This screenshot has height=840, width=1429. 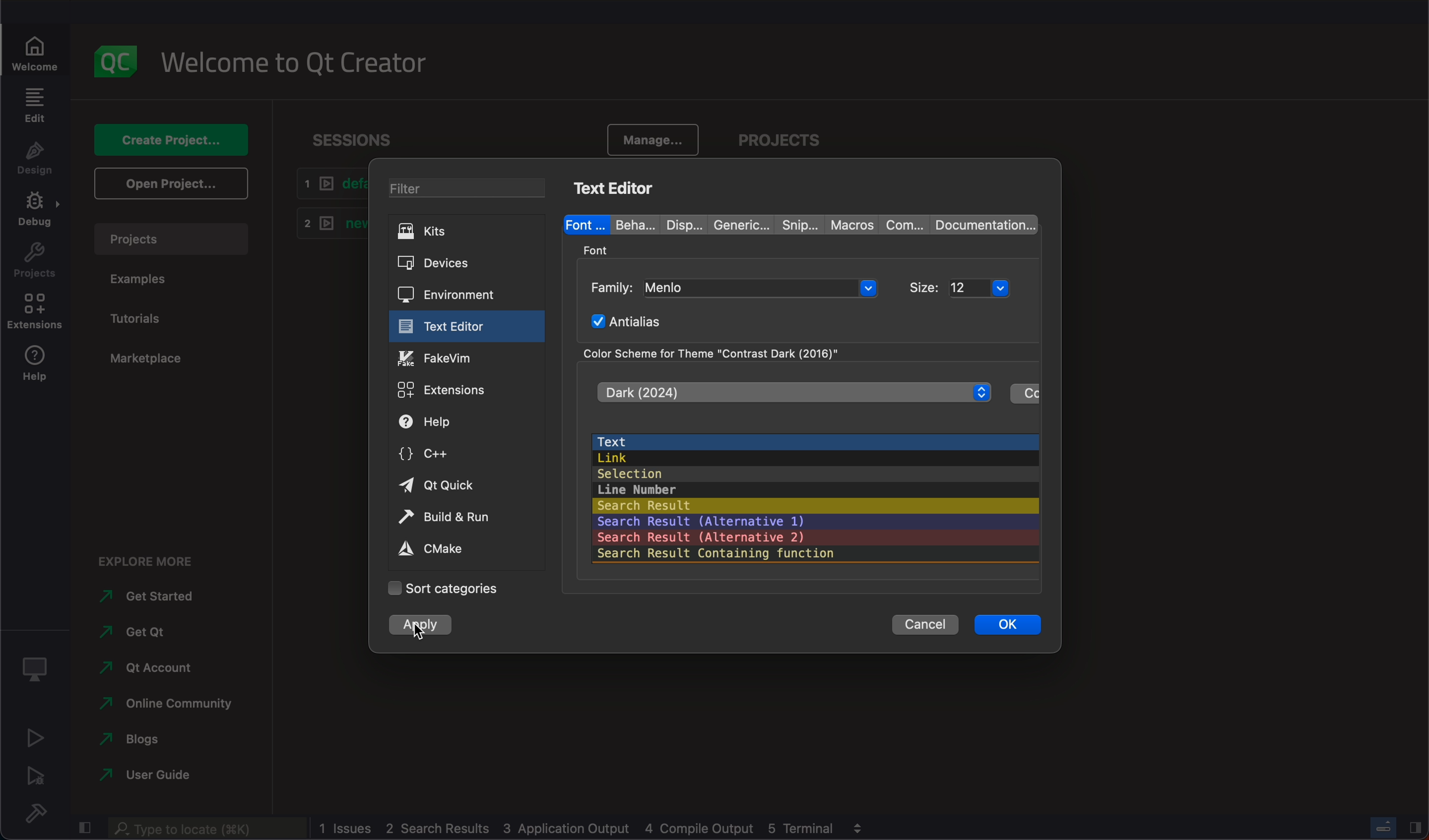 What do you see at coordinates (150, 562) in the screenshot?
I see `explore more` at bounding box center [150, 562].